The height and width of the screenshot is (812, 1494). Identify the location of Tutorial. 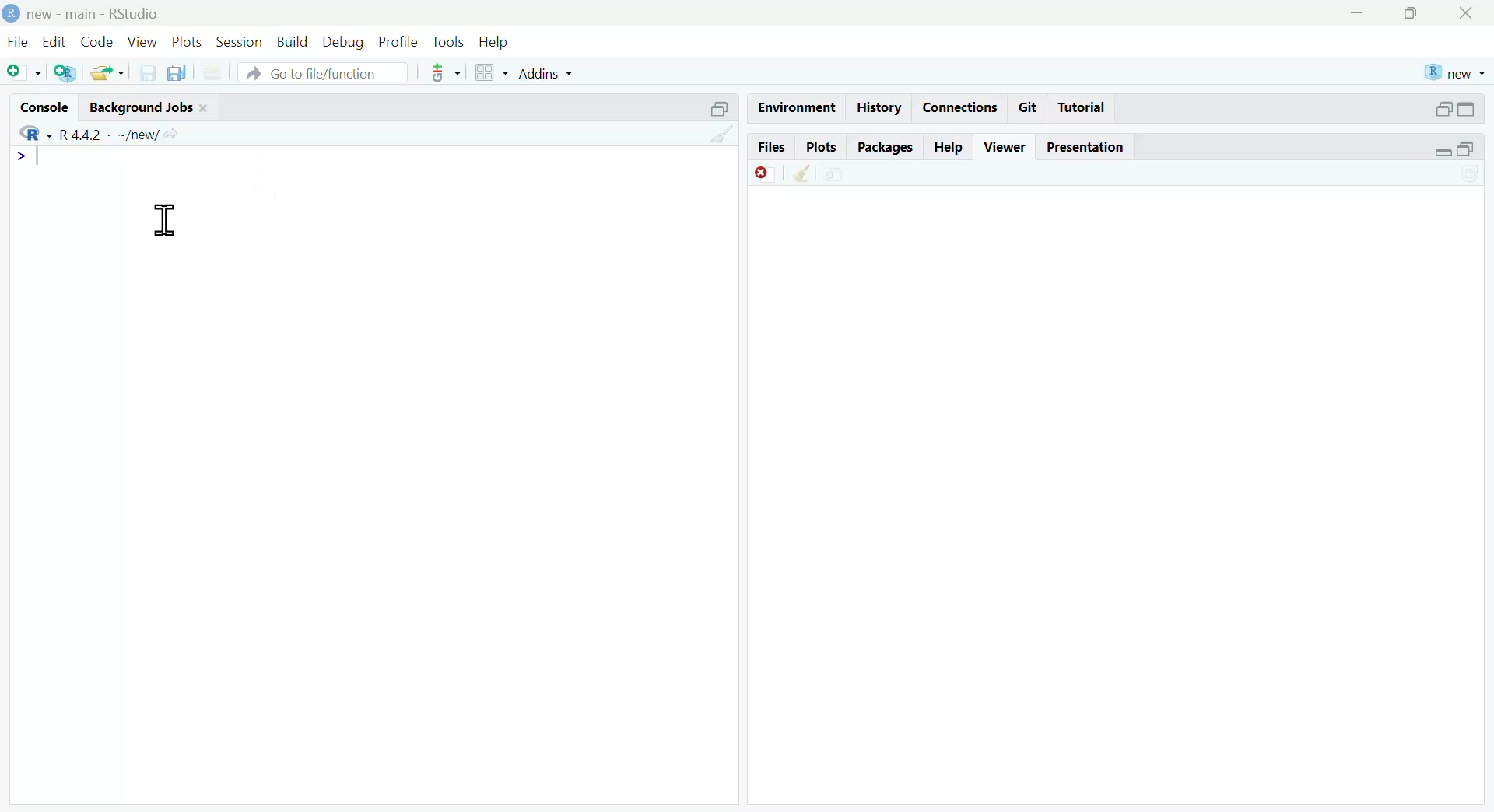
(1086, 107).